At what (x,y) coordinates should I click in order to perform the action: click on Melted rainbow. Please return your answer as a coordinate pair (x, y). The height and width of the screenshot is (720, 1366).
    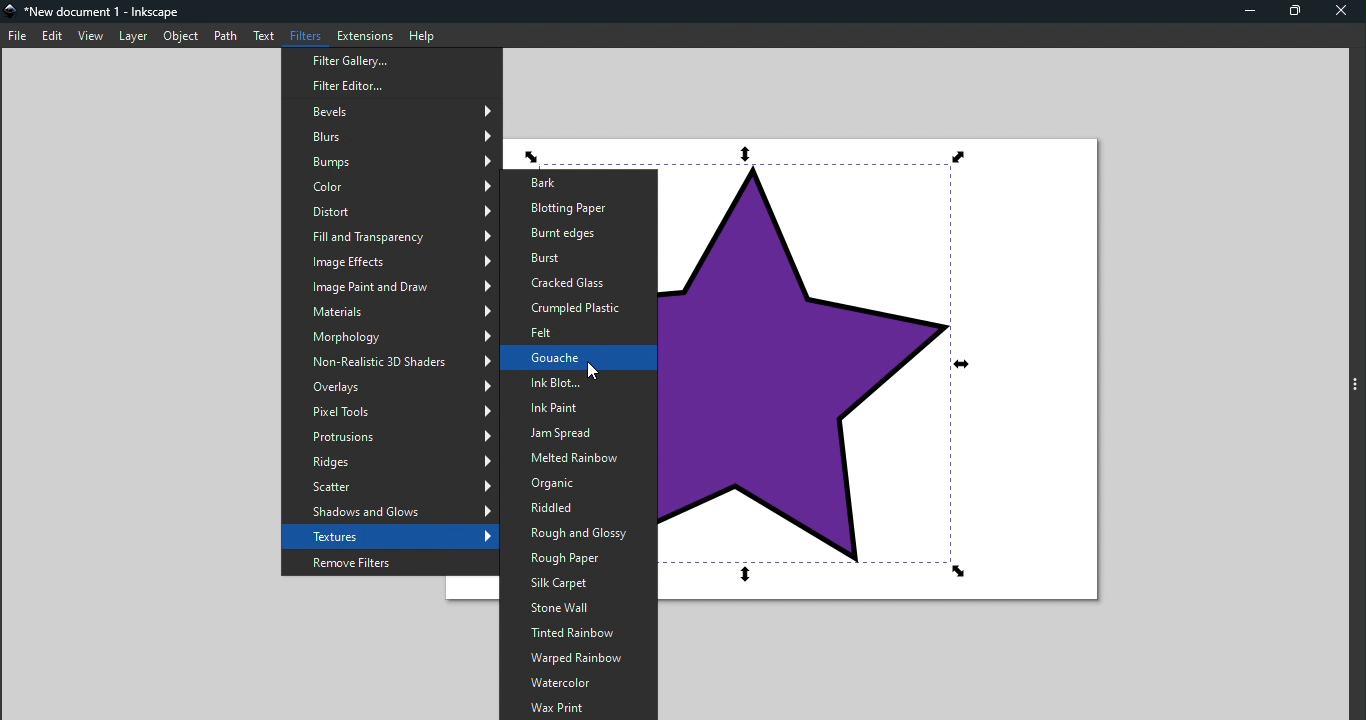
    Looking at the image, I should click on (573, 459).